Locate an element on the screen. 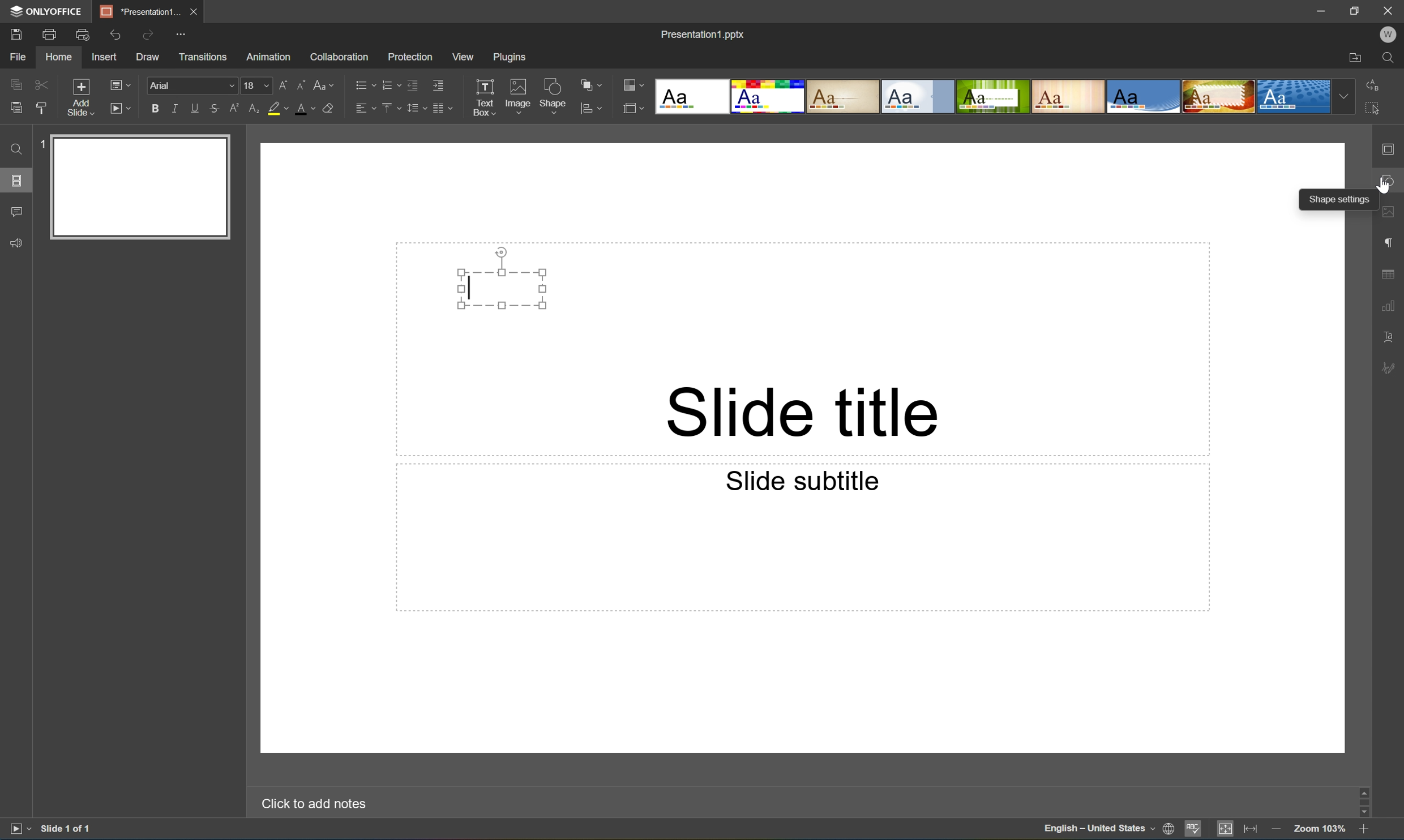  Zoom In is located at coordinates (1363, 831).